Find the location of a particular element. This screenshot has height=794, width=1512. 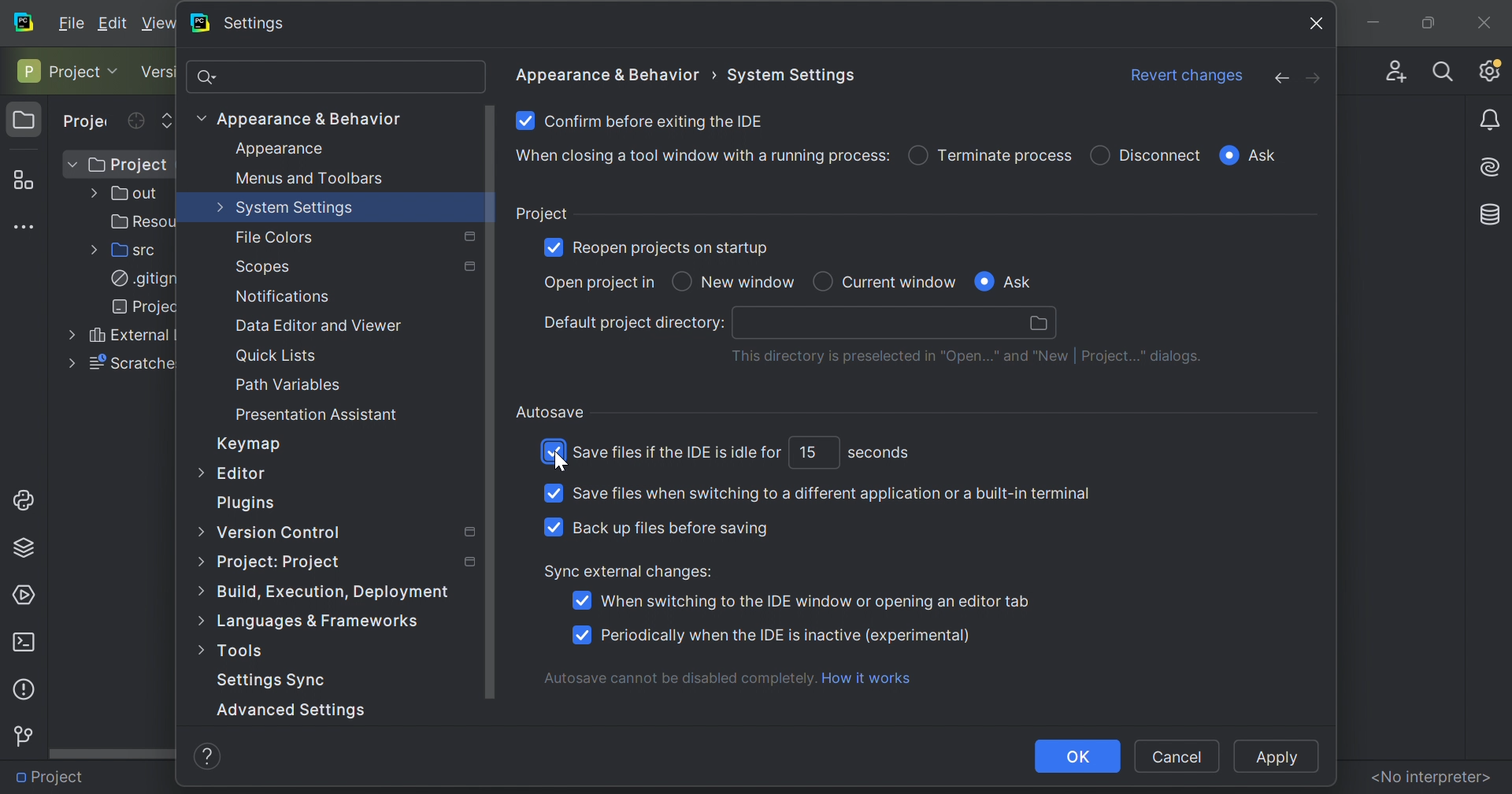

Appearance is located at coordinates (281, 148).